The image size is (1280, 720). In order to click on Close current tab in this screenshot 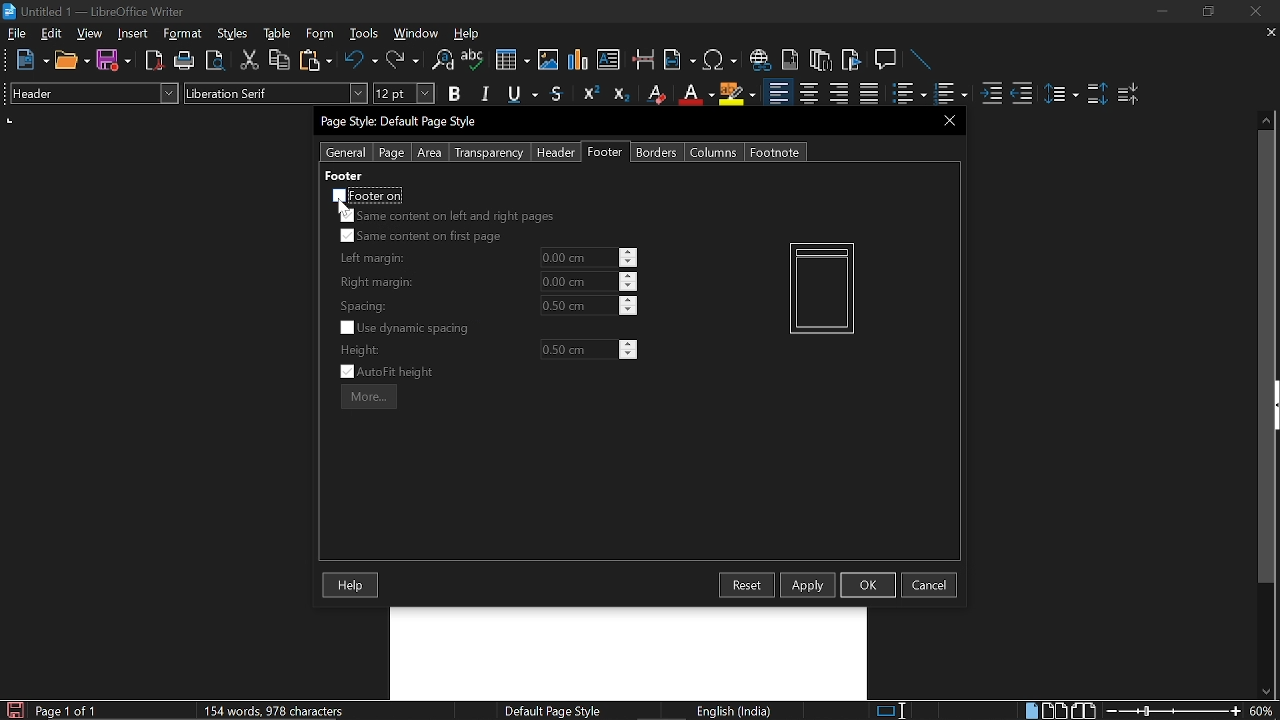, I will do `click(1267, 32)`.